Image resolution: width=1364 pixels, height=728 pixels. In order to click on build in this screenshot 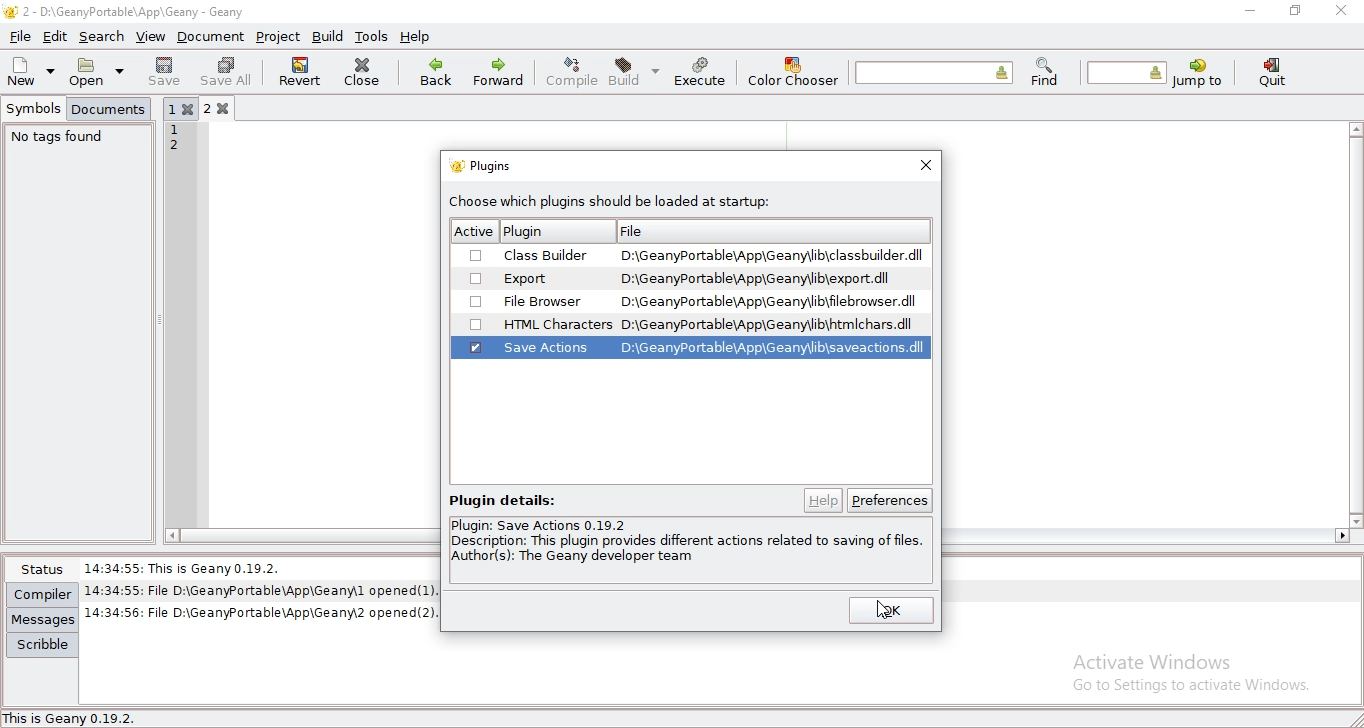, I will do `click(631, 71)`.